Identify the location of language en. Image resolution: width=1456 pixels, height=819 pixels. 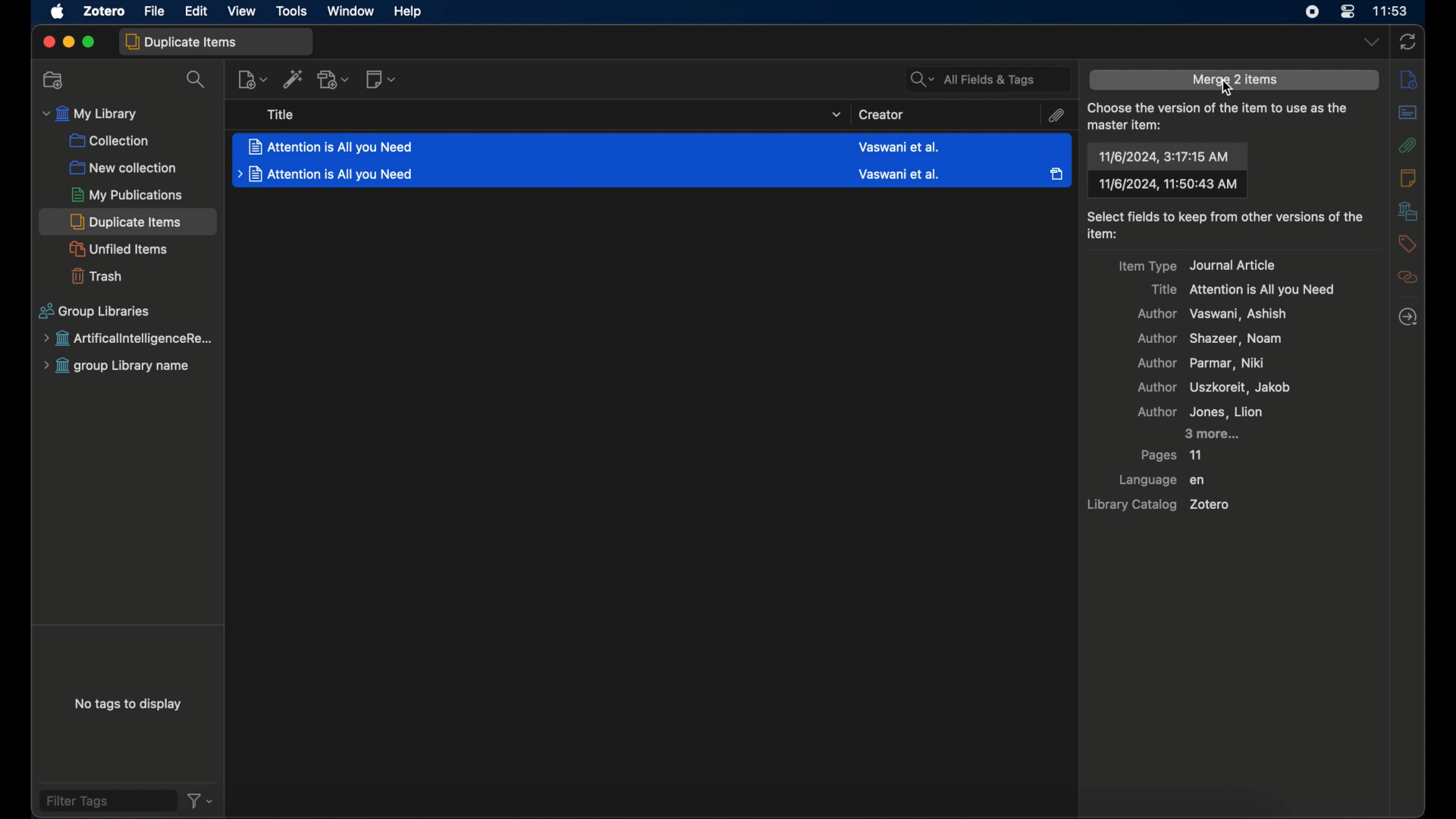
(1159, 479).